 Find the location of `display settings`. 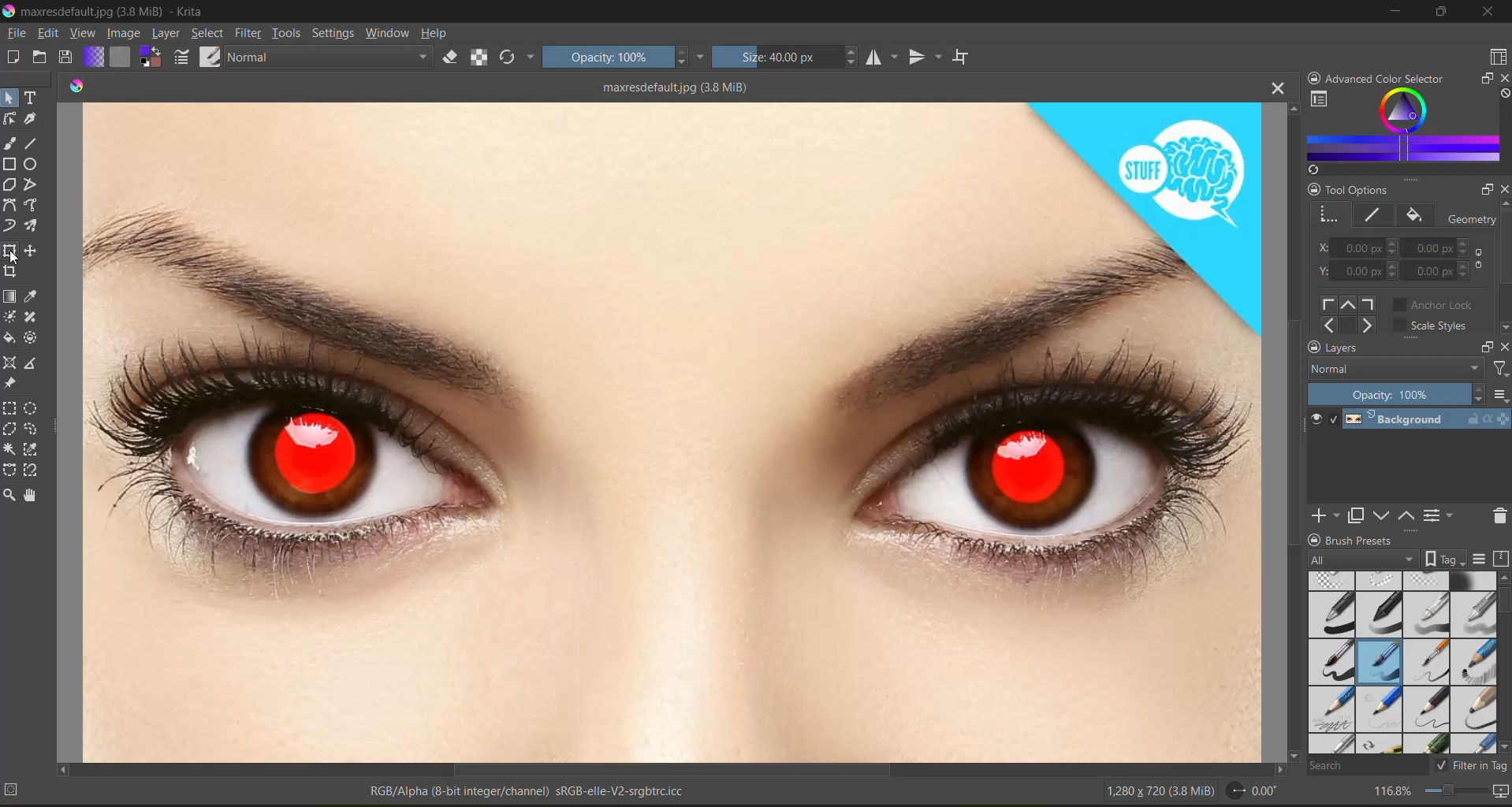

display settings is located at coordinates (1484, 558).